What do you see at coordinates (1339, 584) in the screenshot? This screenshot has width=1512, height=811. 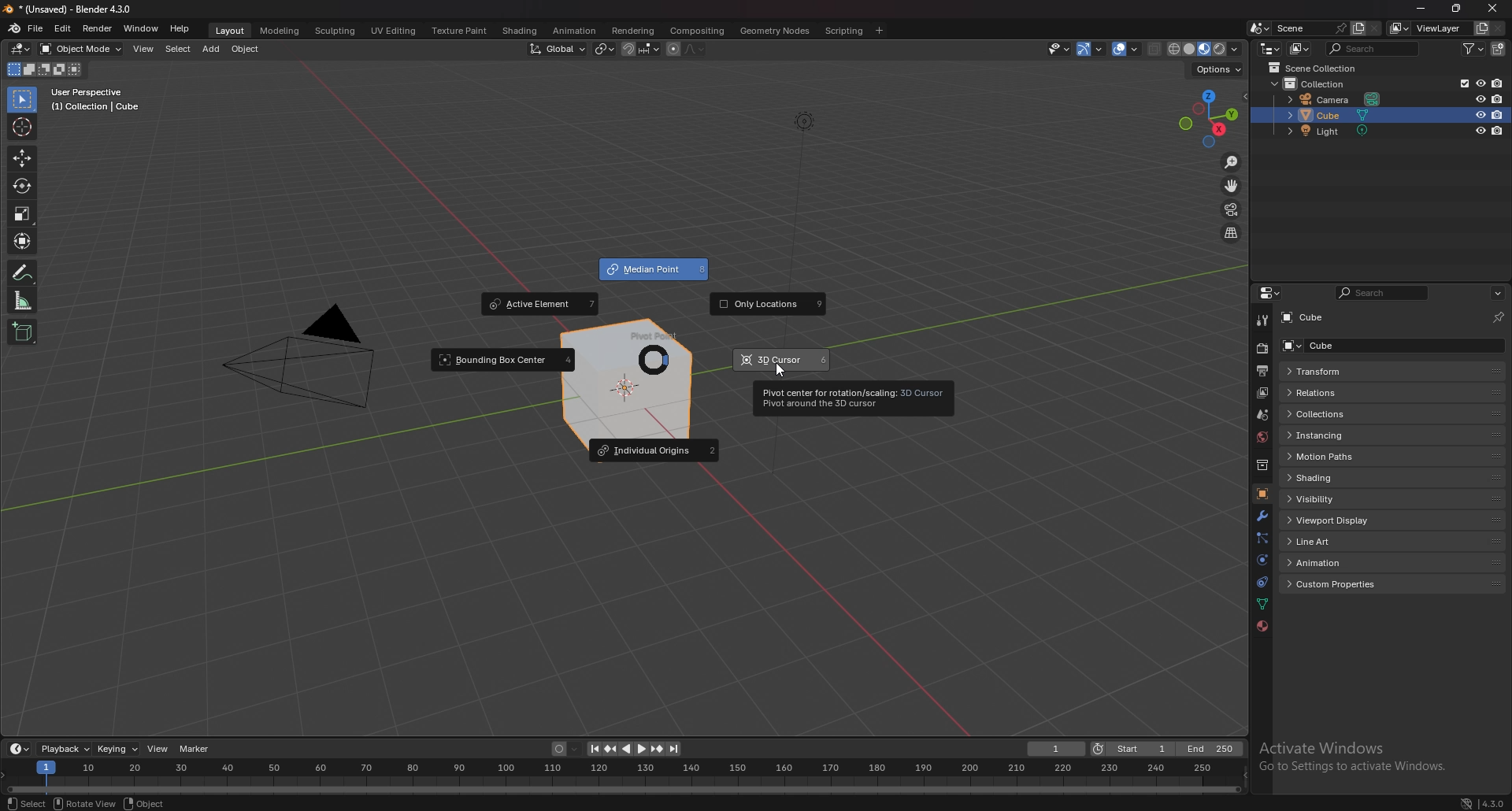 I see `custom properties` at bounding box center [1339, 584].